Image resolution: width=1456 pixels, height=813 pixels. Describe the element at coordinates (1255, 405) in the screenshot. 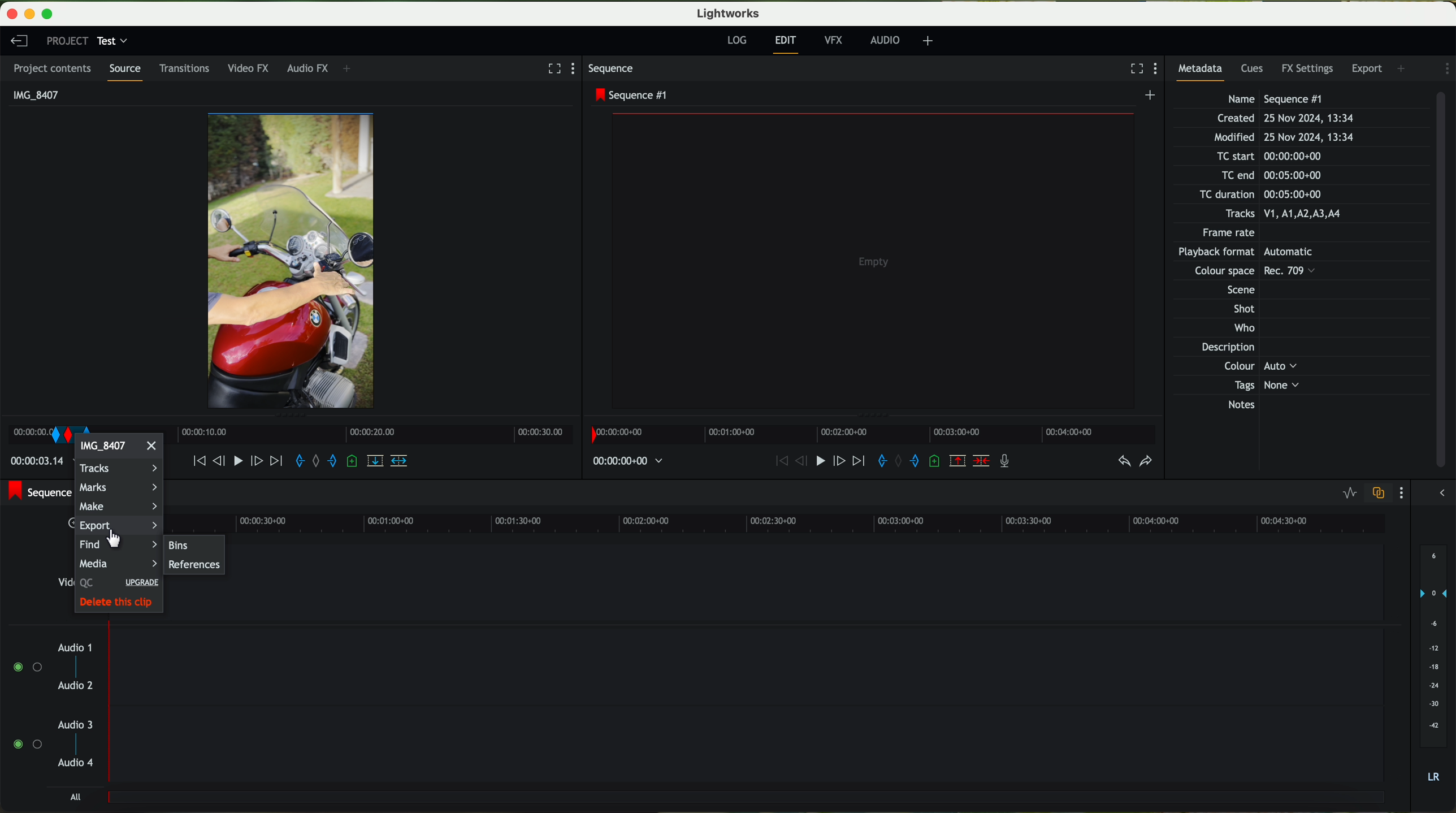

I see `Notes` at that location.